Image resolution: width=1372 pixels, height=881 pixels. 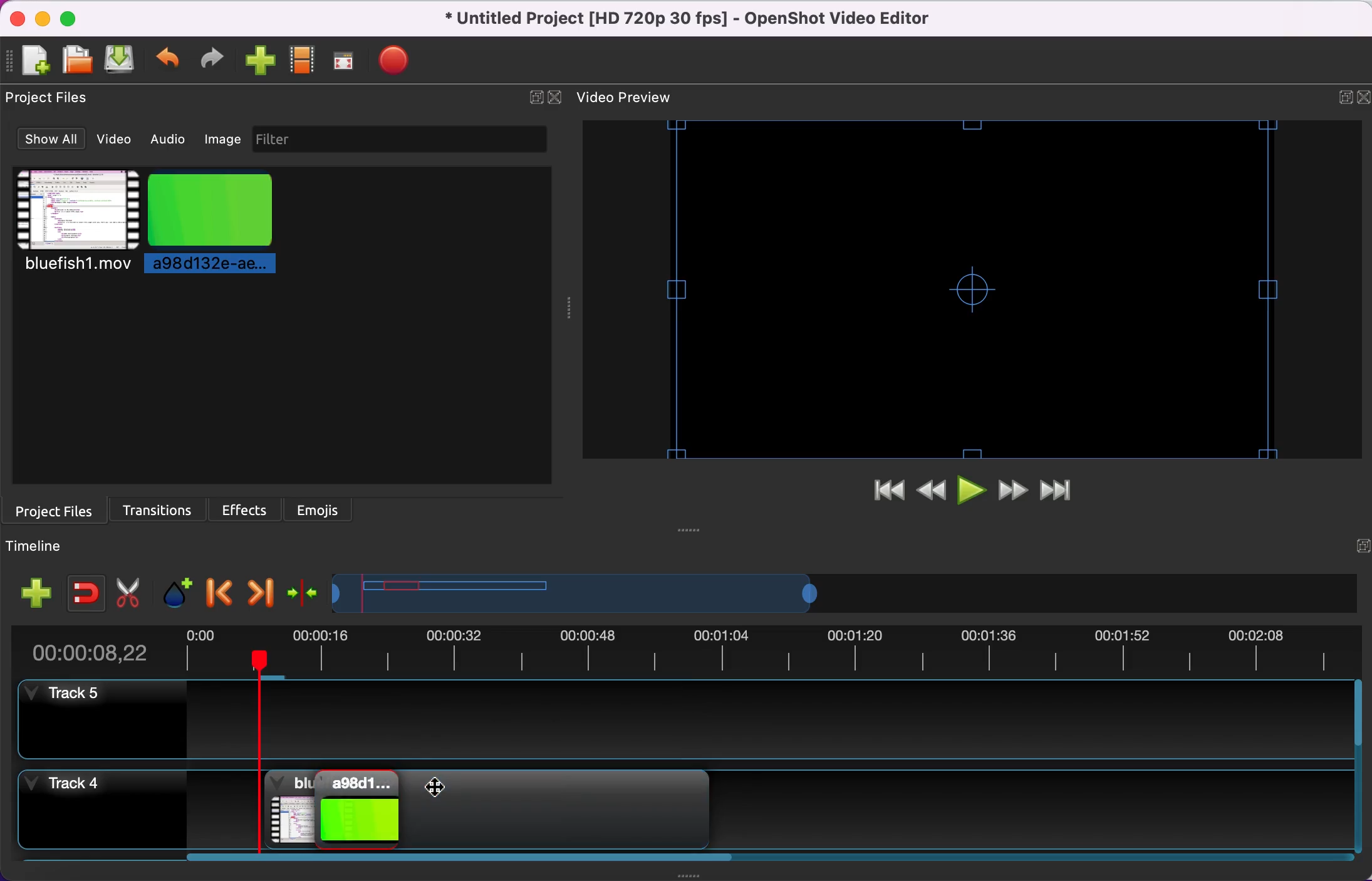 I want to click on filter, so click(x=398, y=140).